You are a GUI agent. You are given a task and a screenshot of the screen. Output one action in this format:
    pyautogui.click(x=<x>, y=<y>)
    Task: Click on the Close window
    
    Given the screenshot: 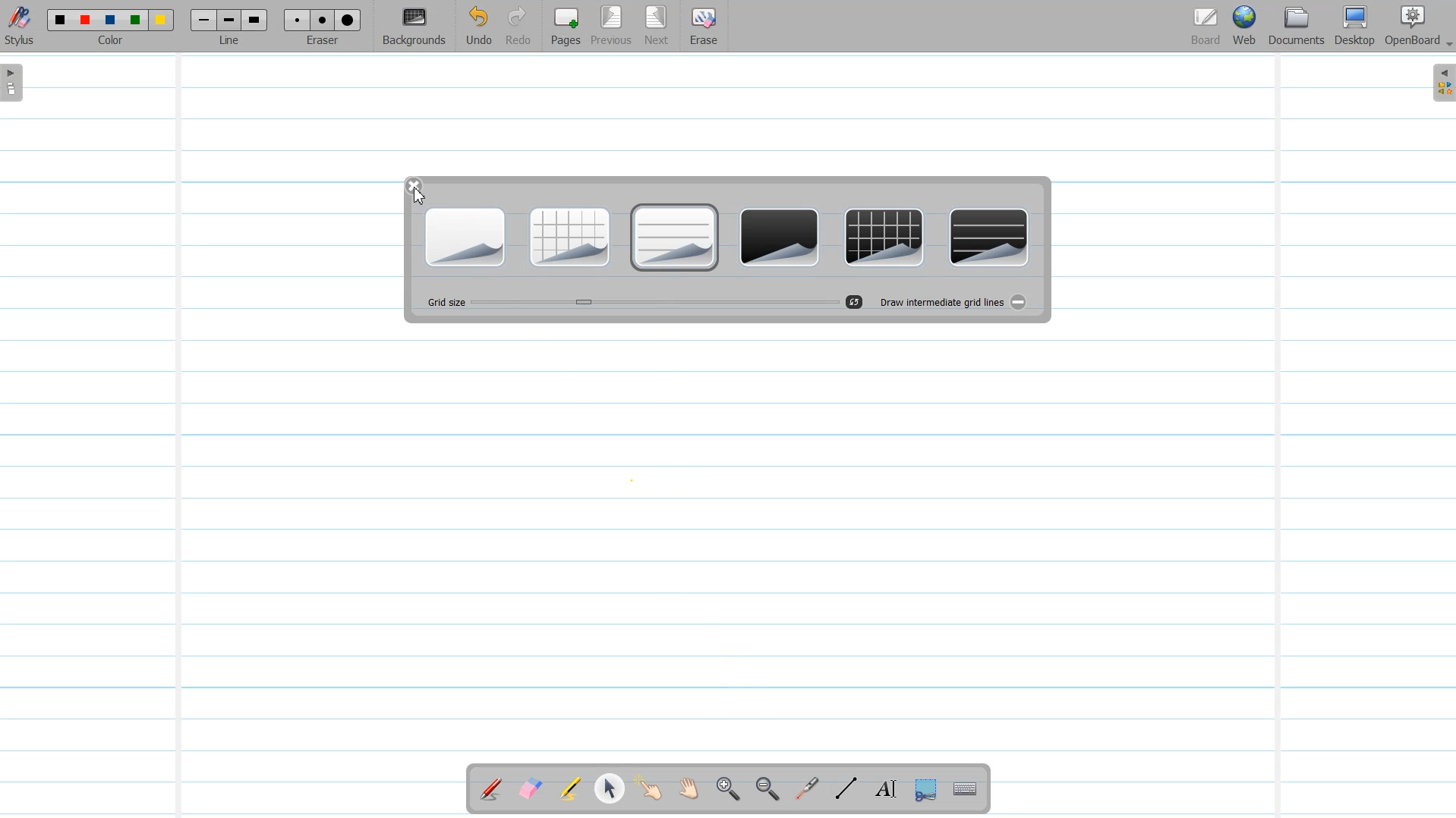 What is the action you would take?
    pyautogui.click(x=414, y=185)
    